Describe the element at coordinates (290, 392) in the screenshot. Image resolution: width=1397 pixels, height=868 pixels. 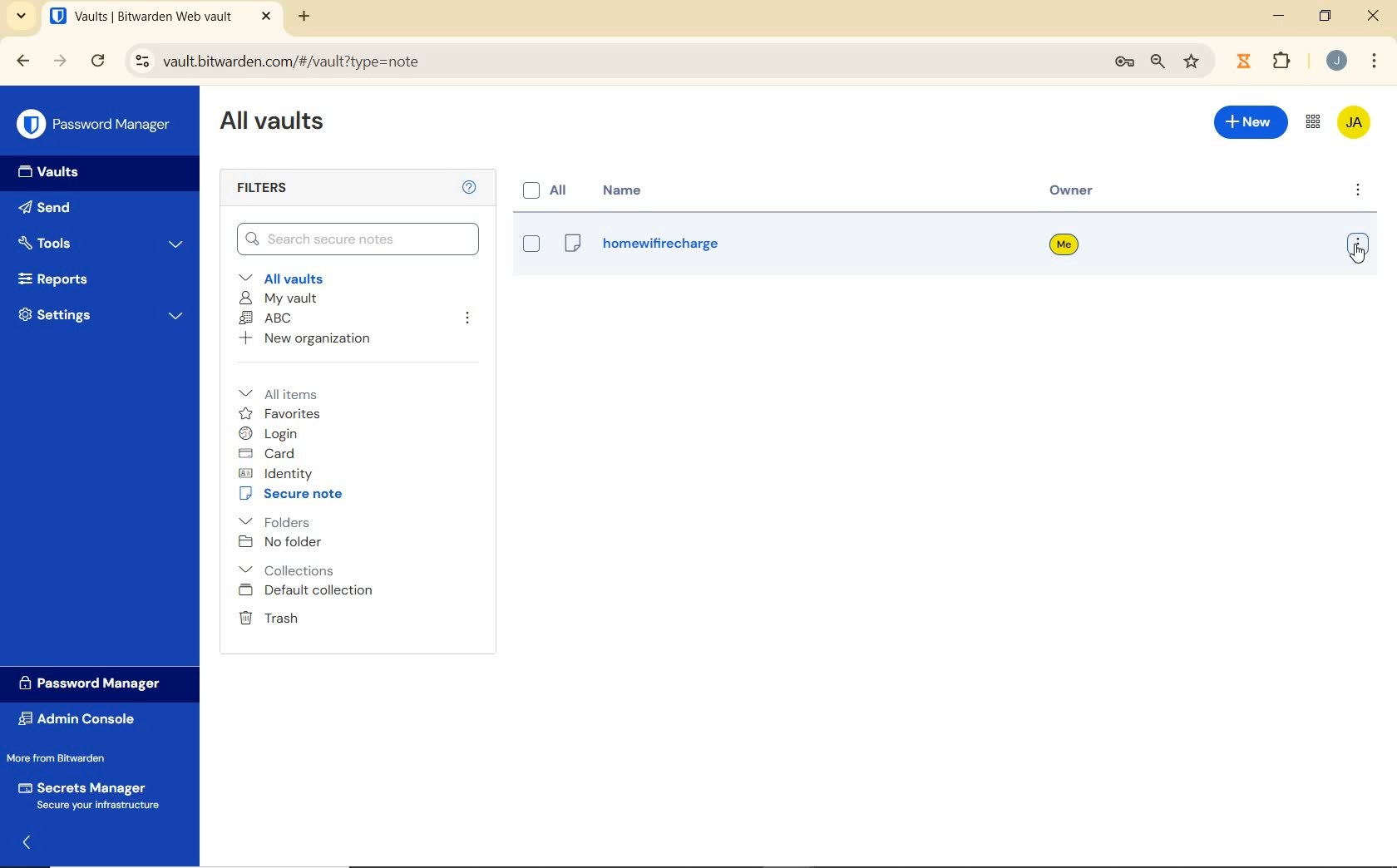
I see `All items` at that location.